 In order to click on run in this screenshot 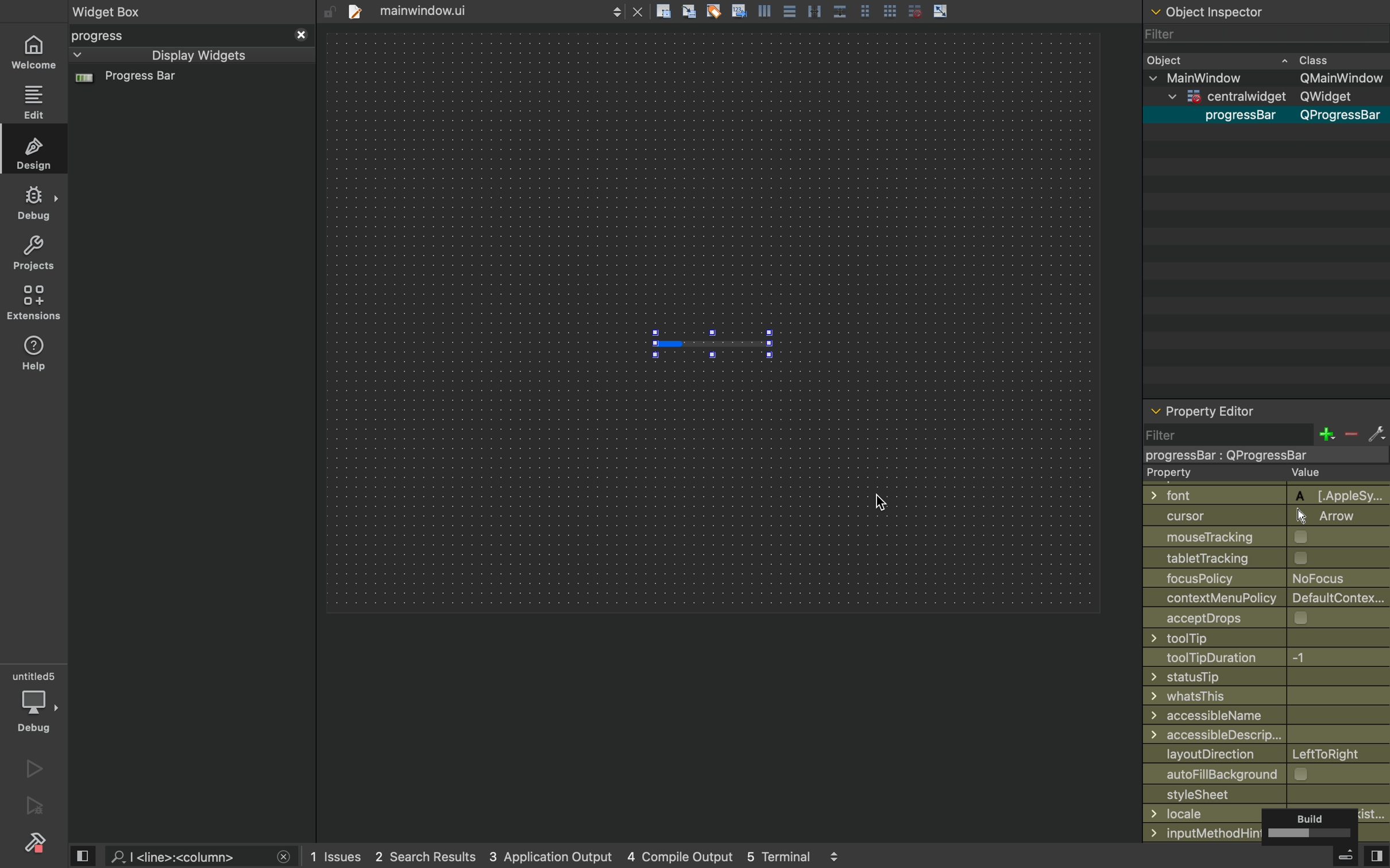, I will do `click(34, 769)`.